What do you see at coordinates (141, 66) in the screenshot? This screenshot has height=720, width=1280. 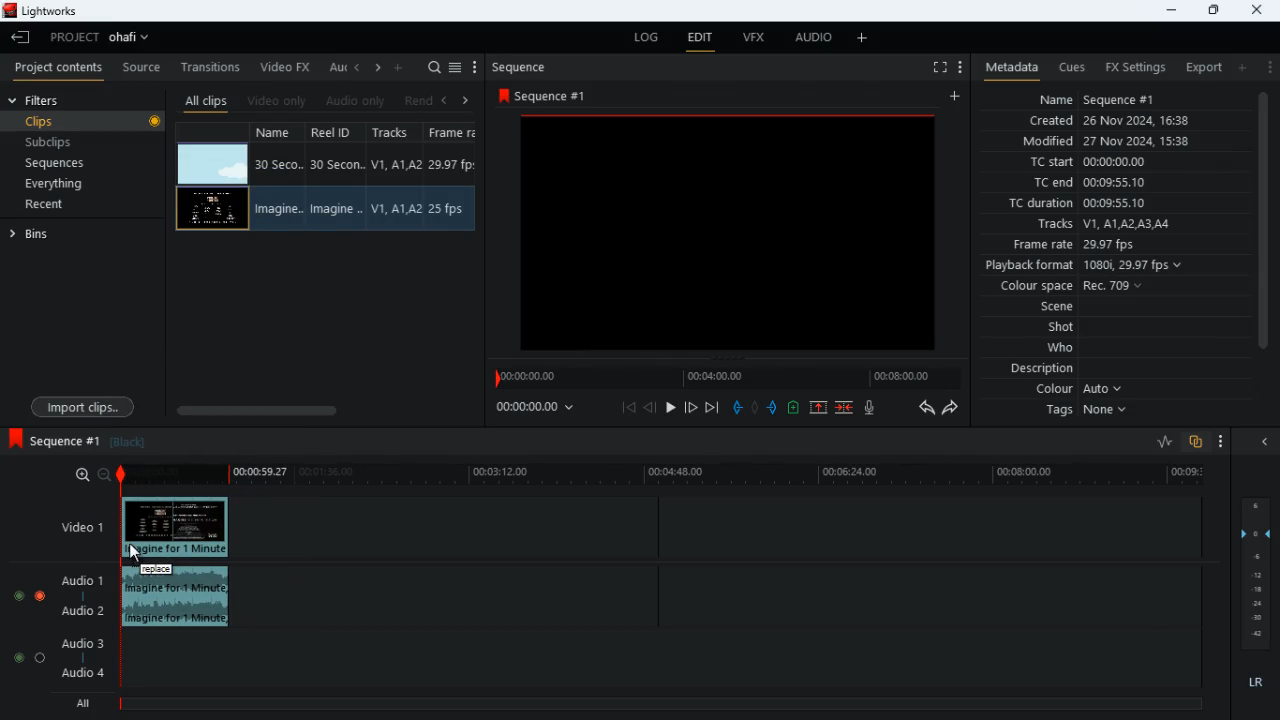 I see `source` at bounding box center [141, 66].